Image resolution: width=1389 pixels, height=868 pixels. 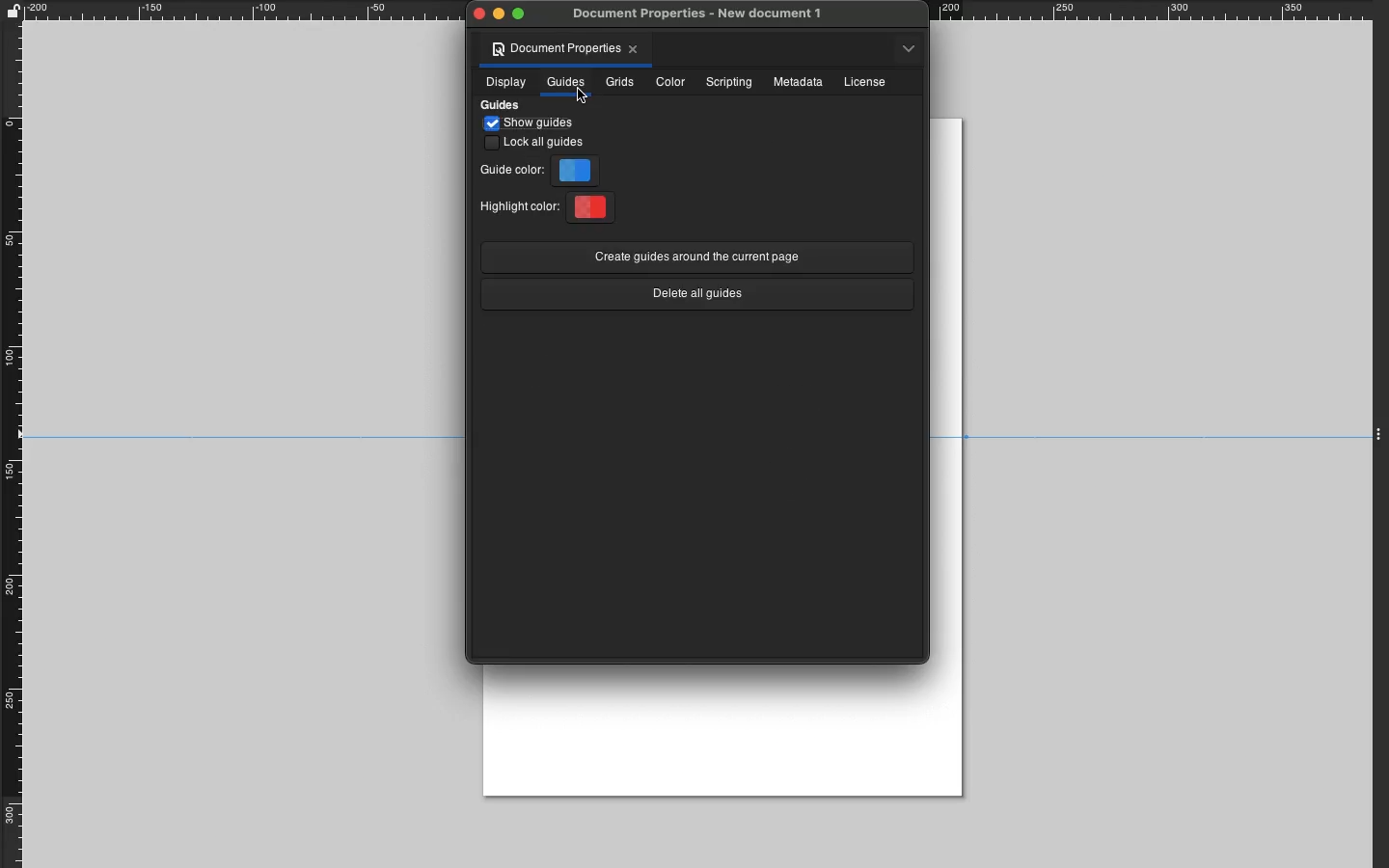 What do you see at coordinates (13, 10) in the screenshot?
I see `Unlock` at bounding box center [13, 10].